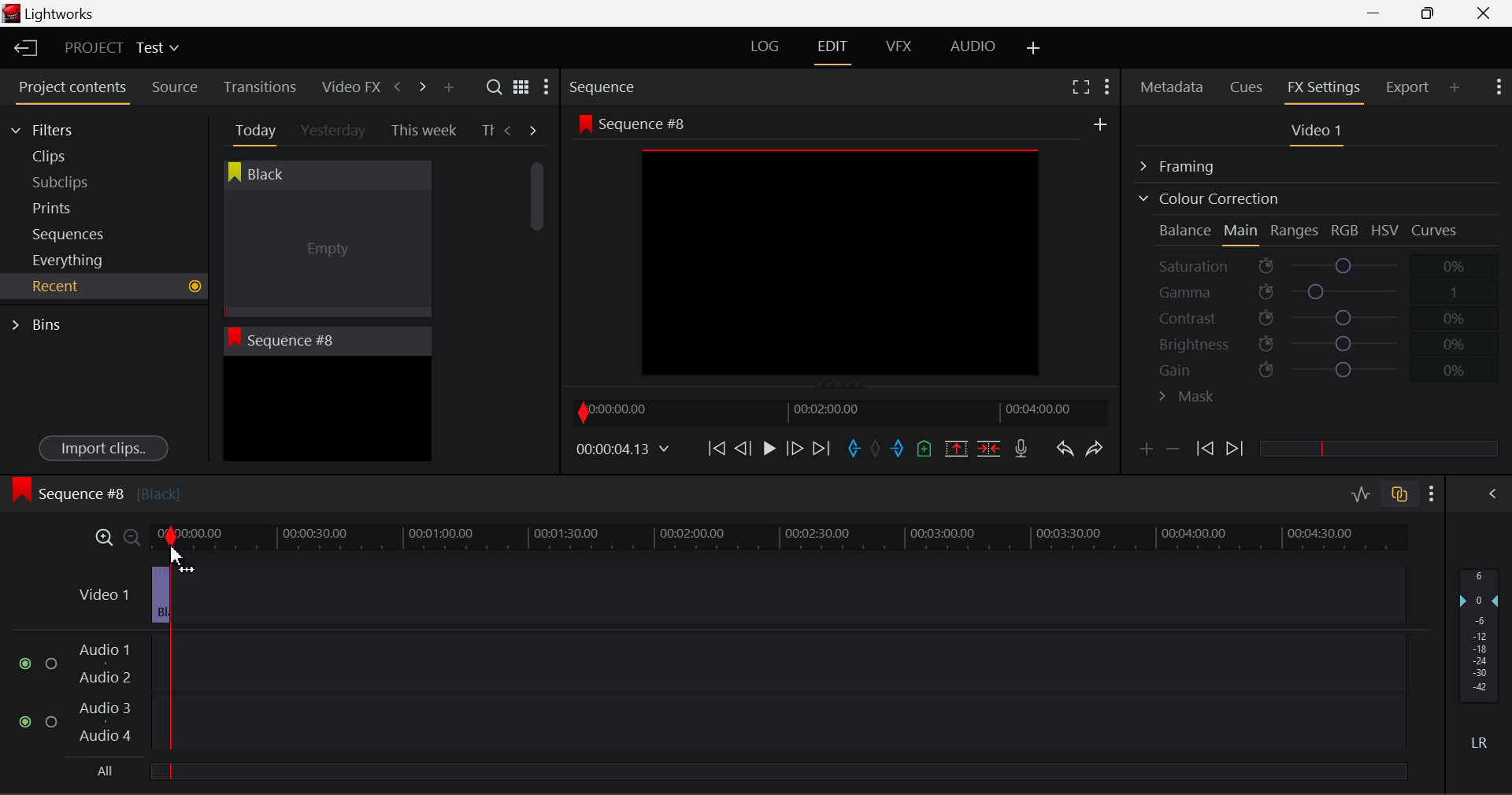 This screenshot has width=1512, height=795. What do you see at coordinates (777, 771) in the screenshot?
I see `slider` at bounding box center [777, 771].